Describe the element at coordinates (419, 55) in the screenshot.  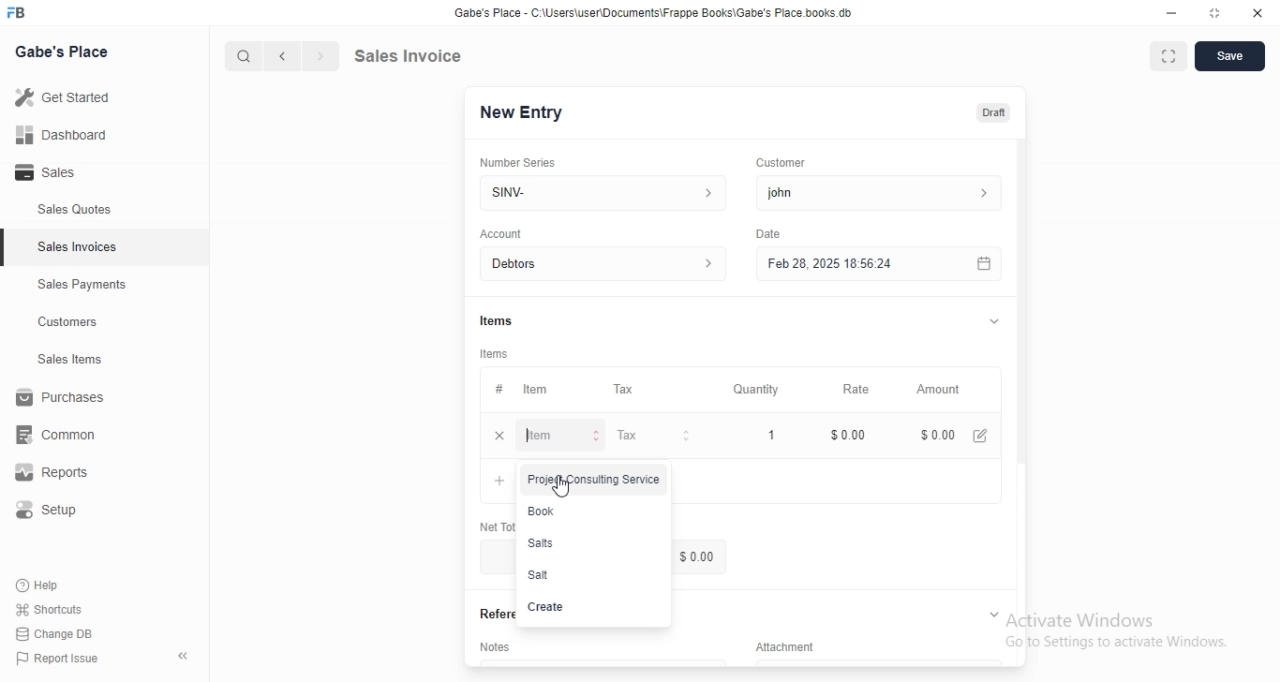
I see `Sales Invoice` at that location.